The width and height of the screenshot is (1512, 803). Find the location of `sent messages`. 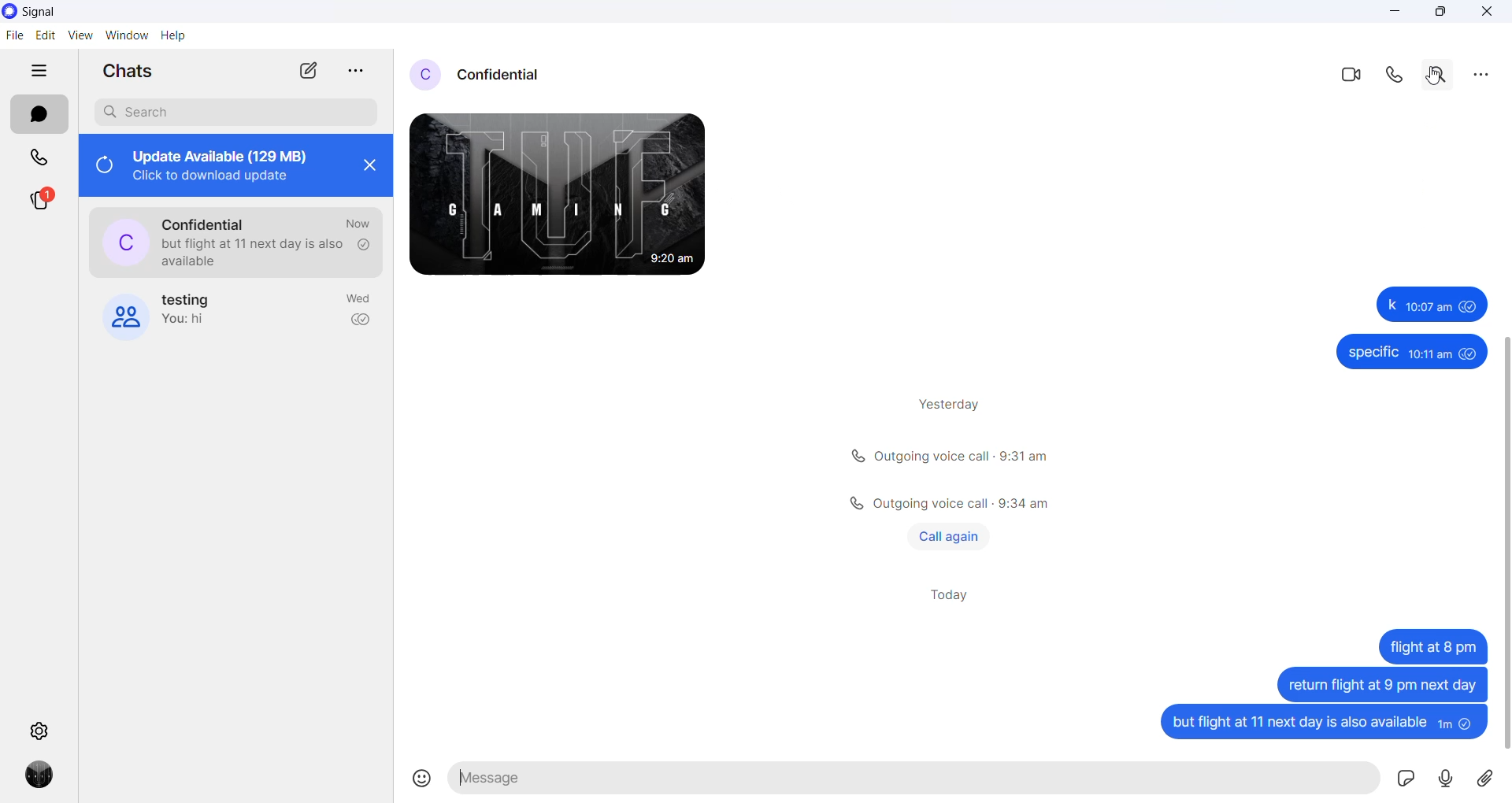

sent messages is located at coordinates (1321, 726).